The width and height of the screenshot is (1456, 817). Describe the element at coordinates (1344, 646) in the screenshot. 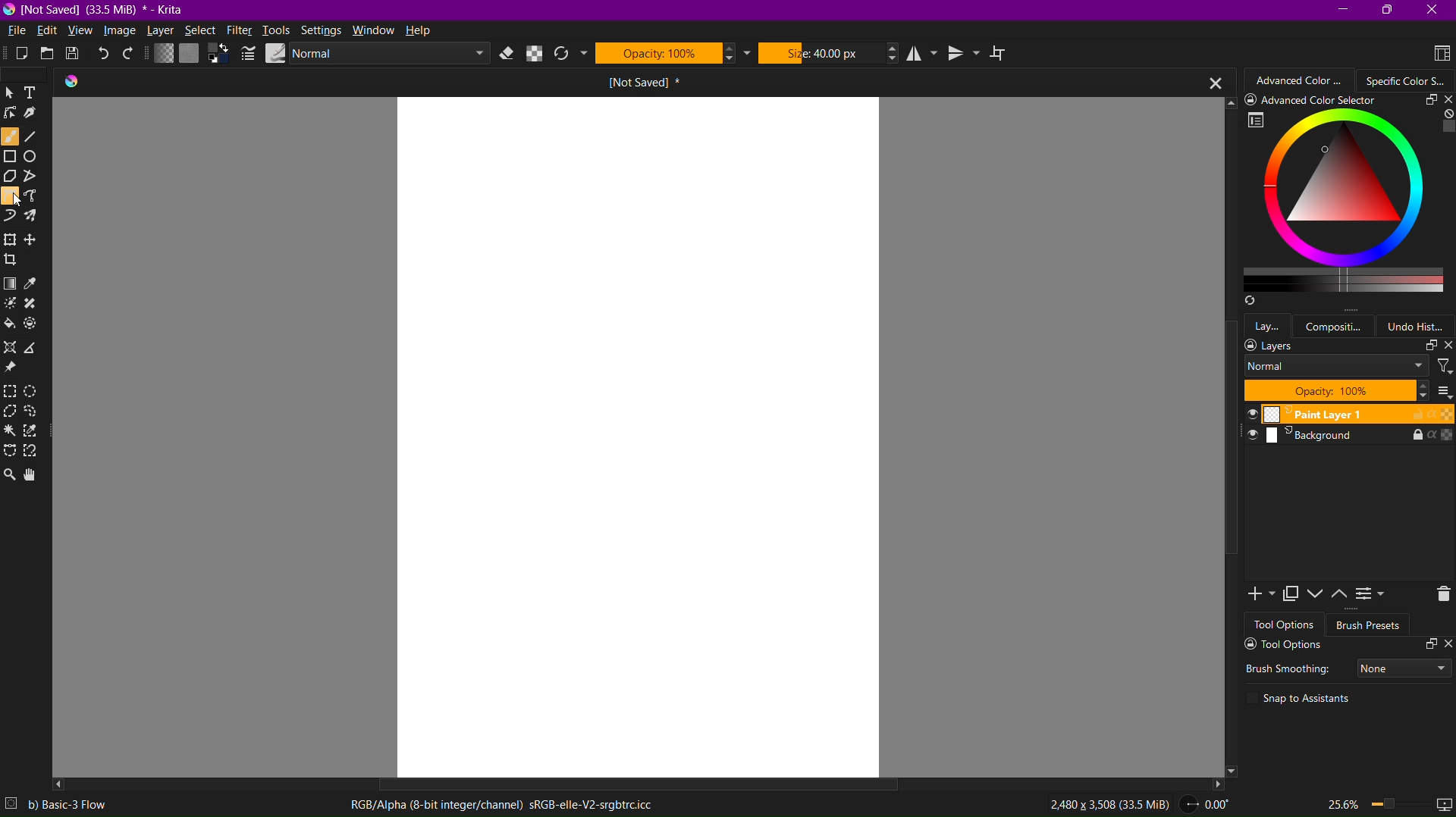

I see `Tool Options` at that location.